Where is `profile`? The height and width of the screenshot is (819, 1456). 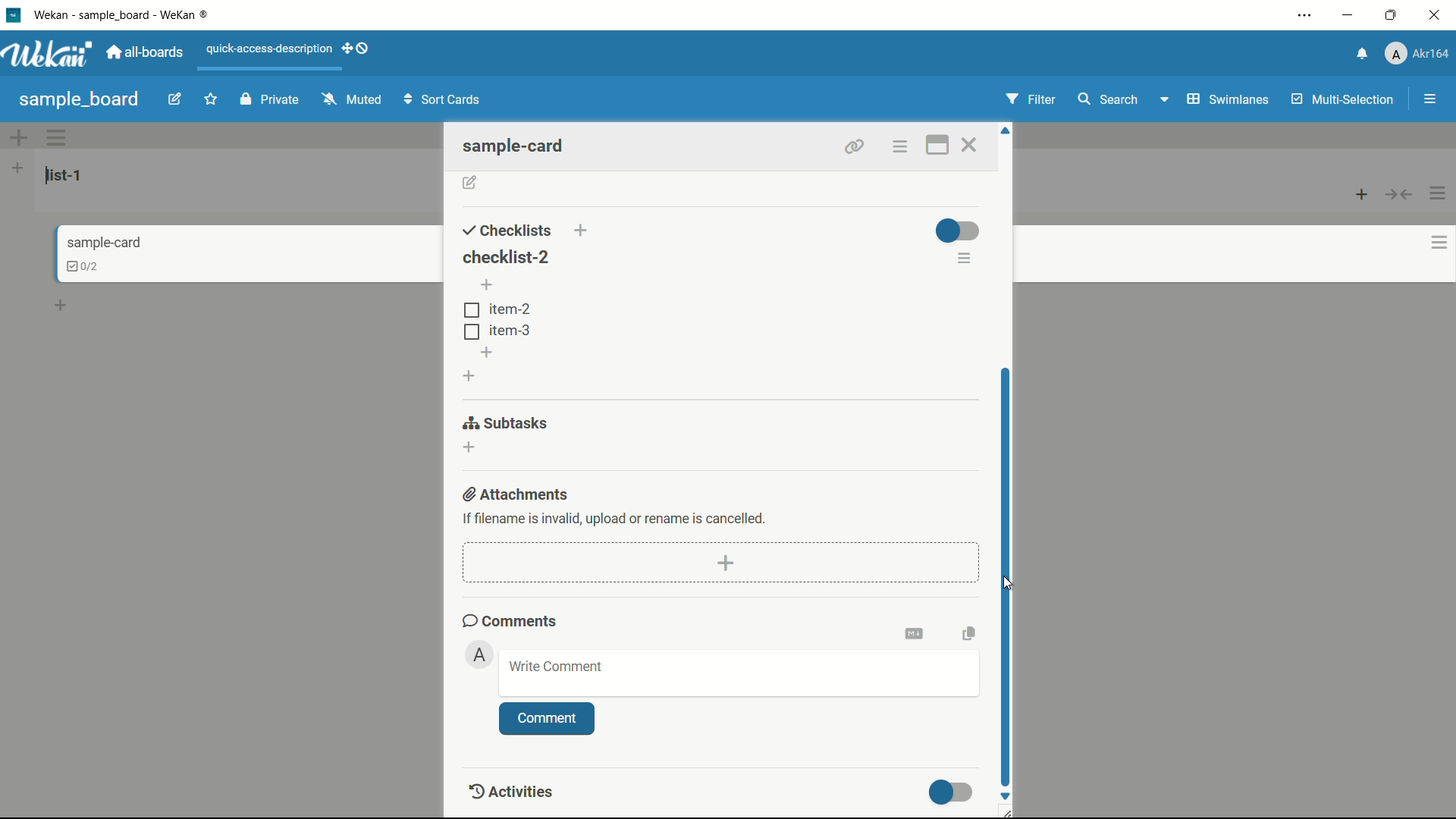 profile is located at coordinates (1420, 54).